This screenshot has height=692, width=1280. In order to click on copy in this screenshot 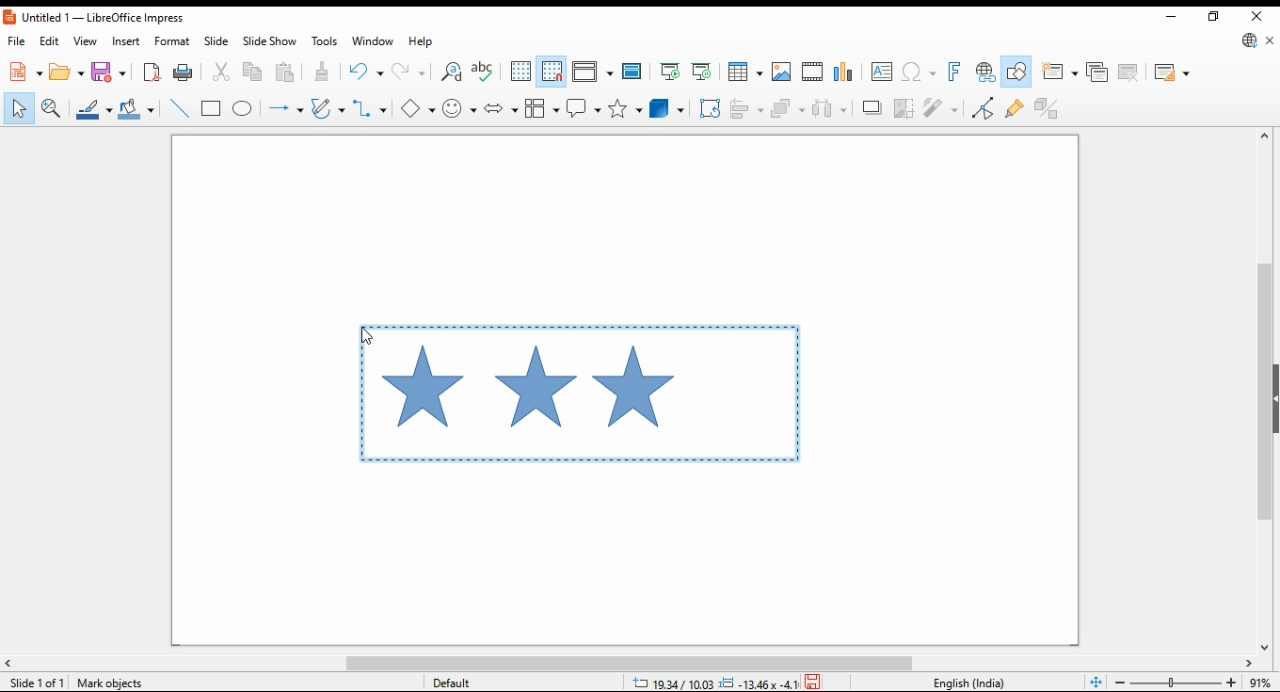, I will do `click(257, 72)`.